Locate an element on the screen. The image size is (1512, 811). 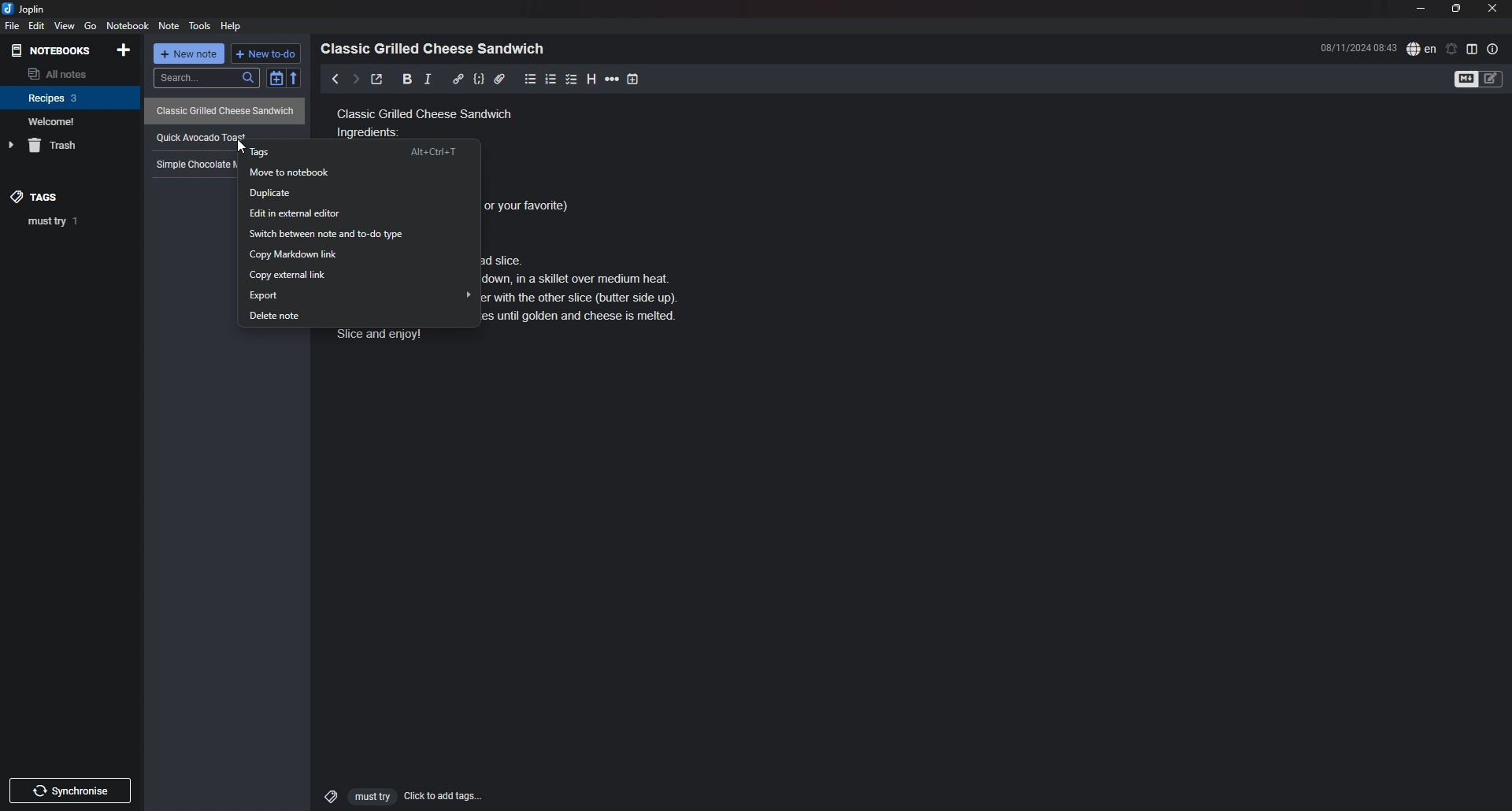
notebook is located at coordinates (129, 25).